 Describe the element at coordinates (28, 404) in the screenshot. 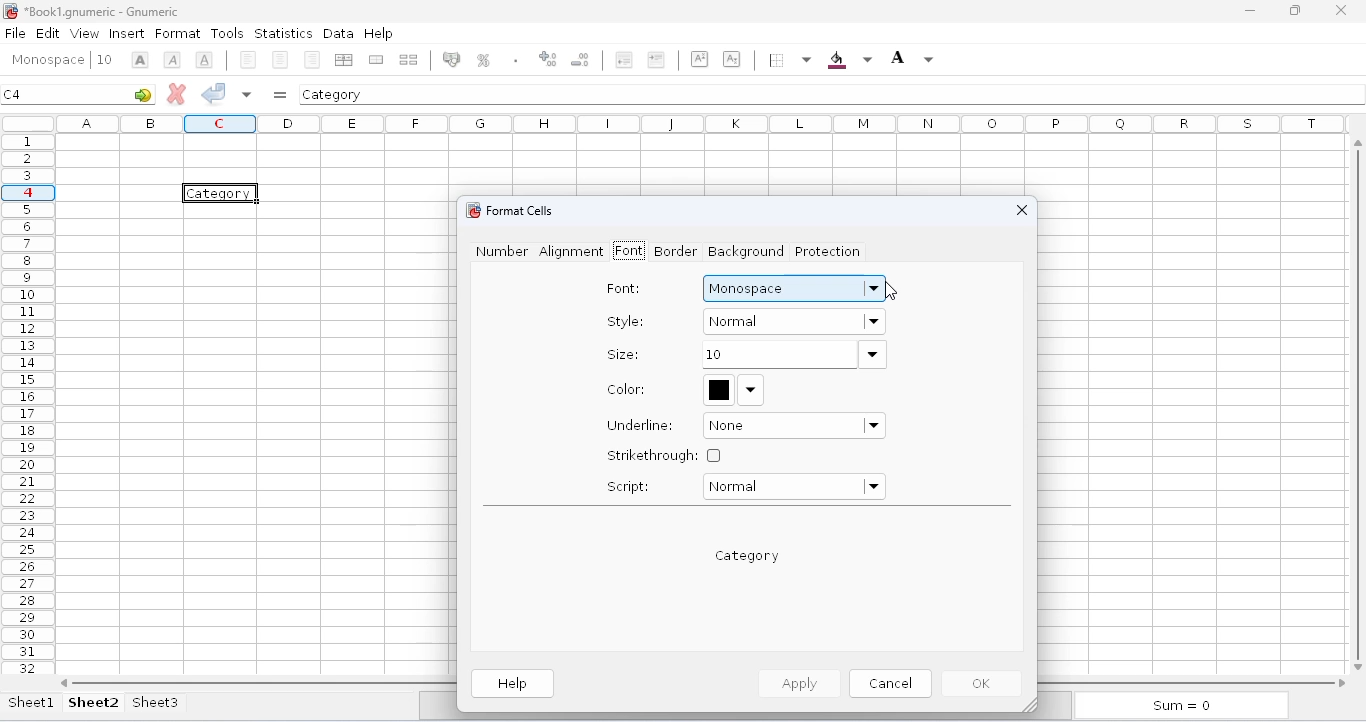

I see `rows` at that location.